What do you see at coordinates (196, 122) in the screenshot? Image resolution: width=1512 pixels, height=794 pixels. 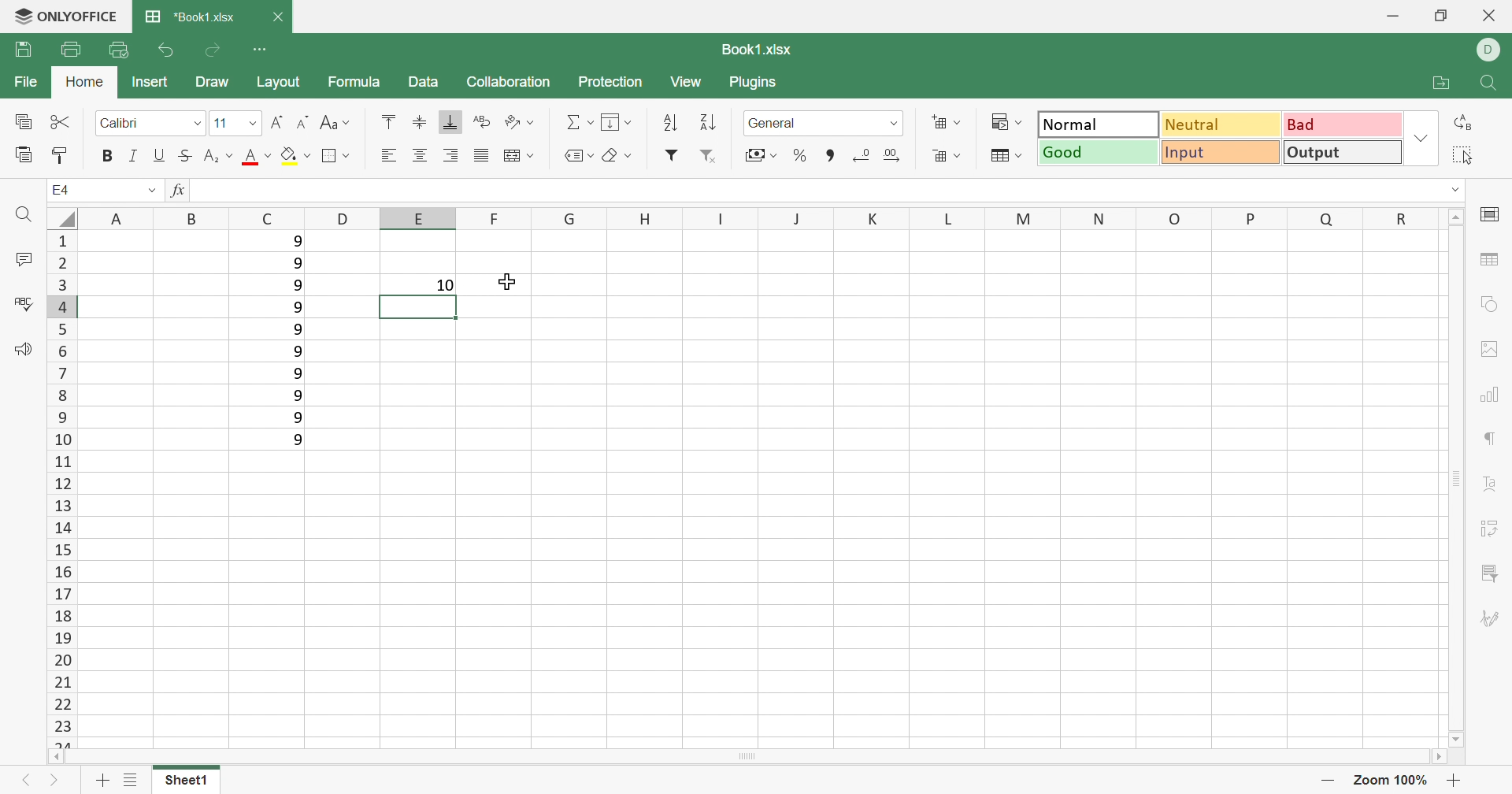 I see `Drop Down` at bounding box center [196, 122].